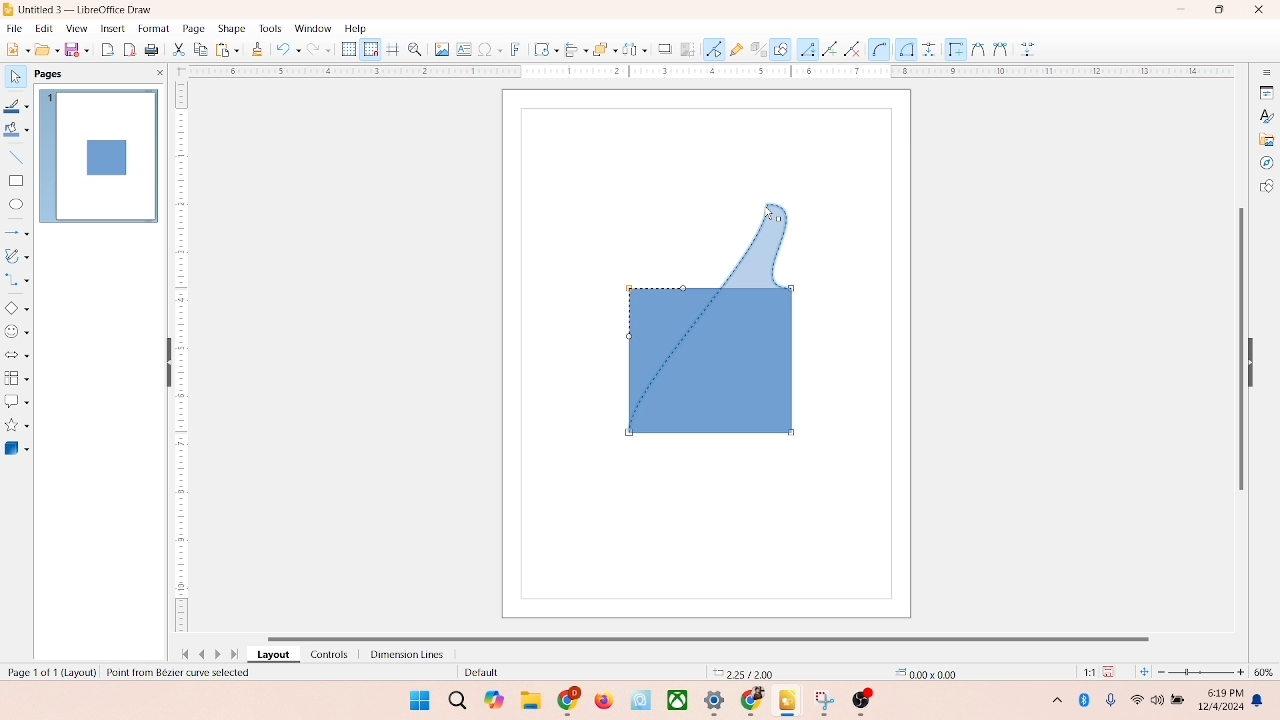 The height and width of the screenshot is (720, 1280). What do you see at coordinates (1239, 347) in the screenshot?
I see `vertical scroll bar` at bounding box center [1239, 347].